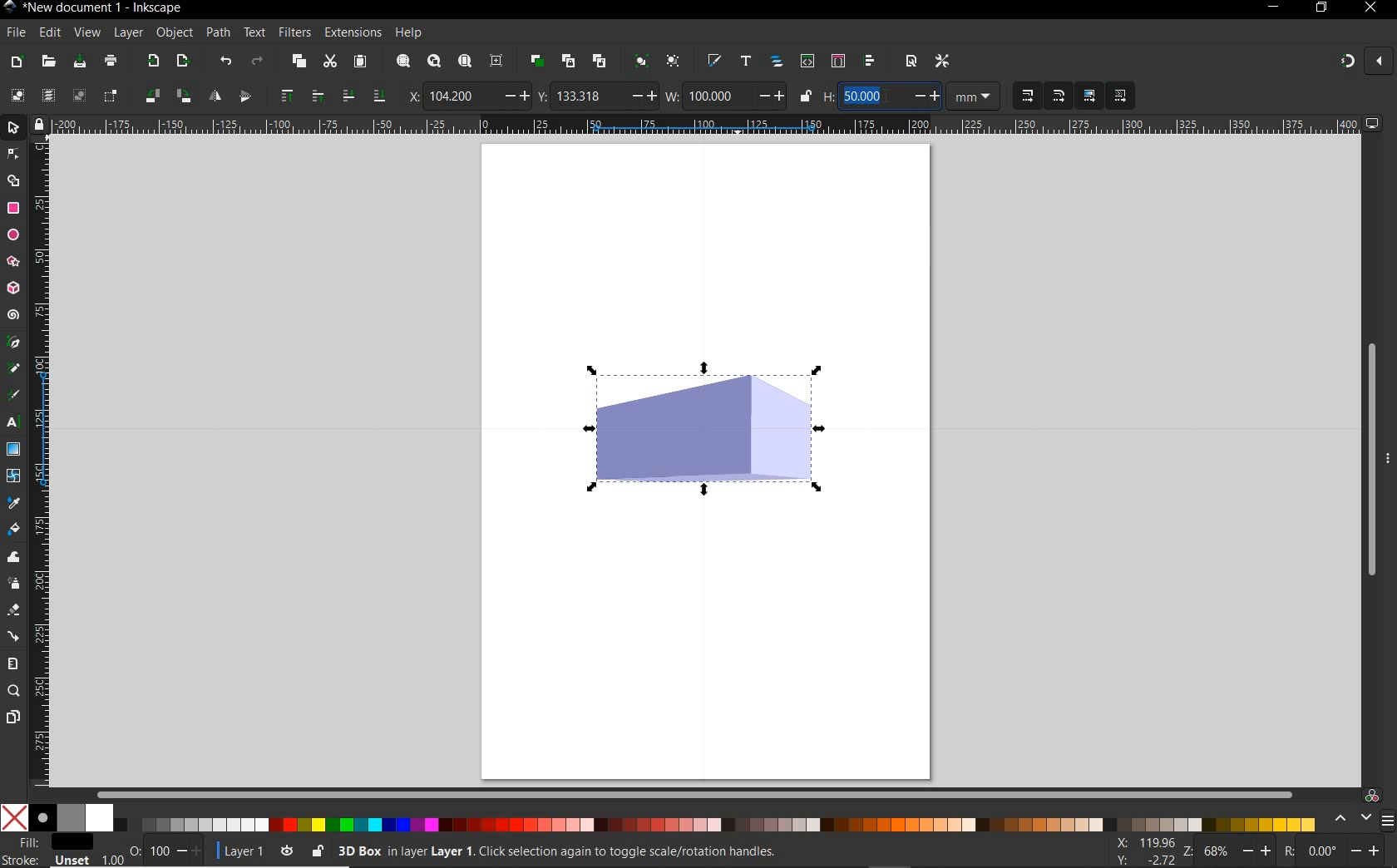 This screenshot has height=868, width=1397. What do you see at coordinates (434, 60) in the screenshot?
I see `zoom drawing` at bounding box center [434, 60].